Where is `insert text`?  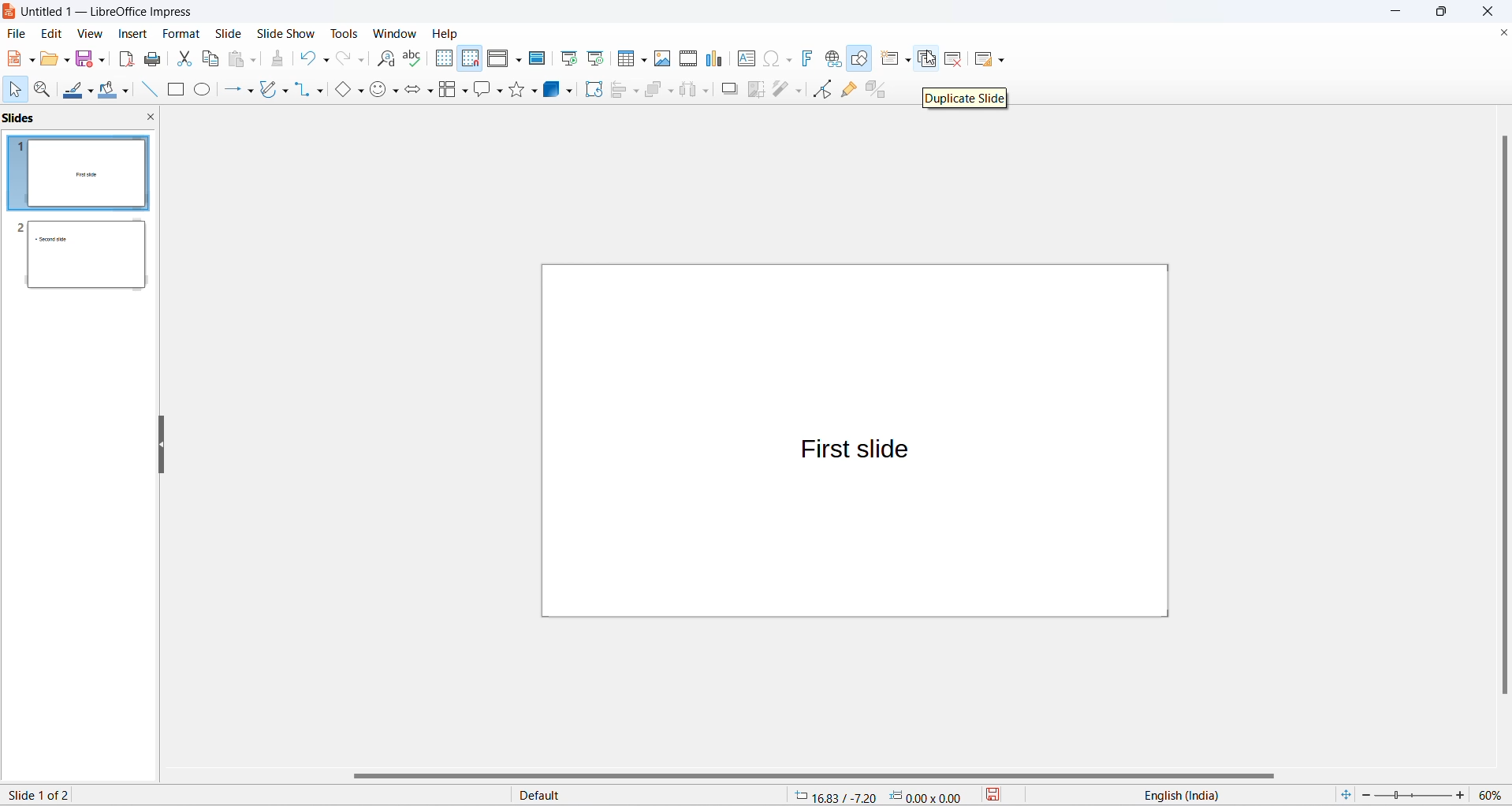 insert text is located at coordinates (748, 58).